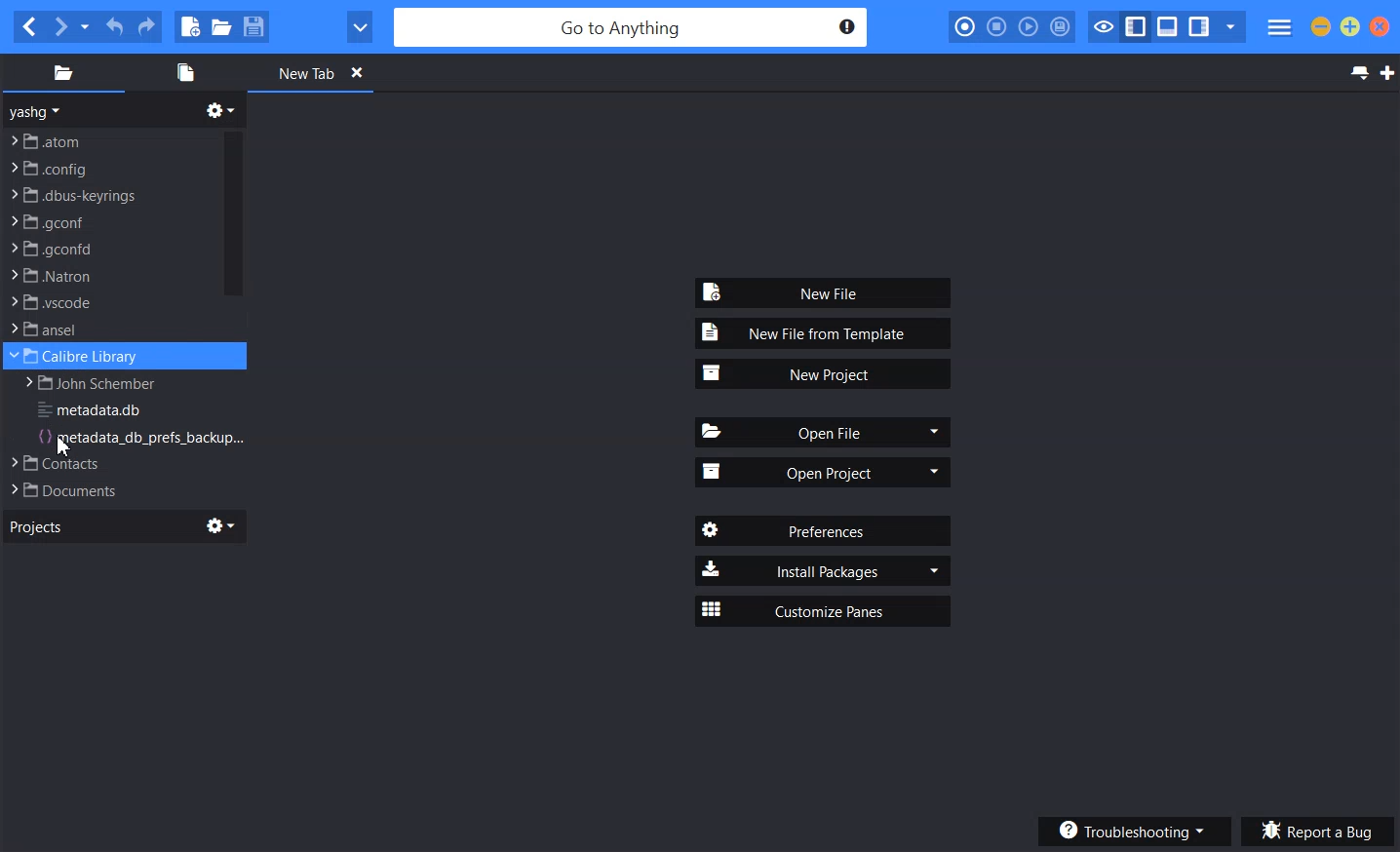  What do you see at coordinates (356, 71) in the screenshot?
I see `Close` at bounding box center [356, 71].